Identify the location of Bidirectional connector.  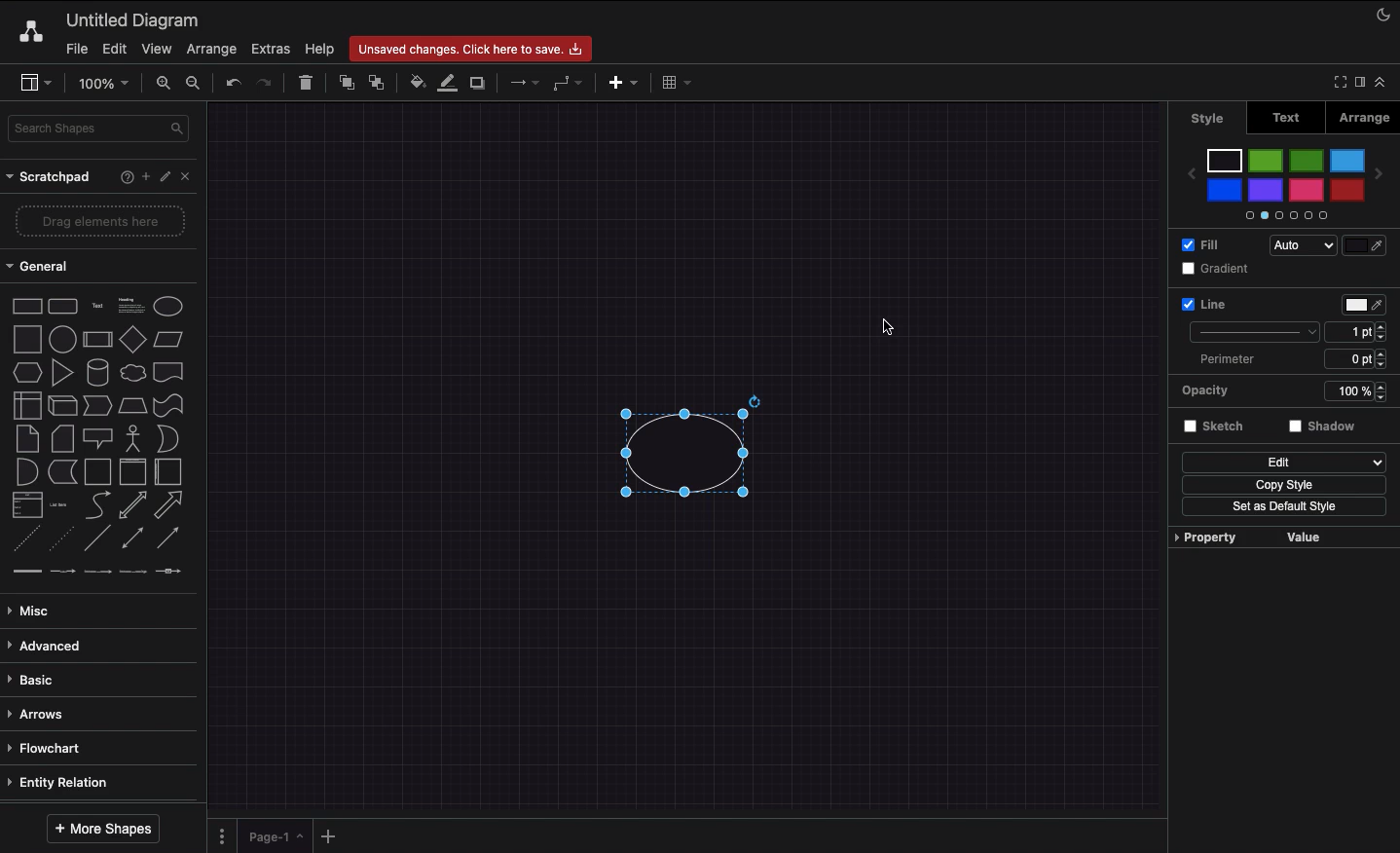
(133, 538).